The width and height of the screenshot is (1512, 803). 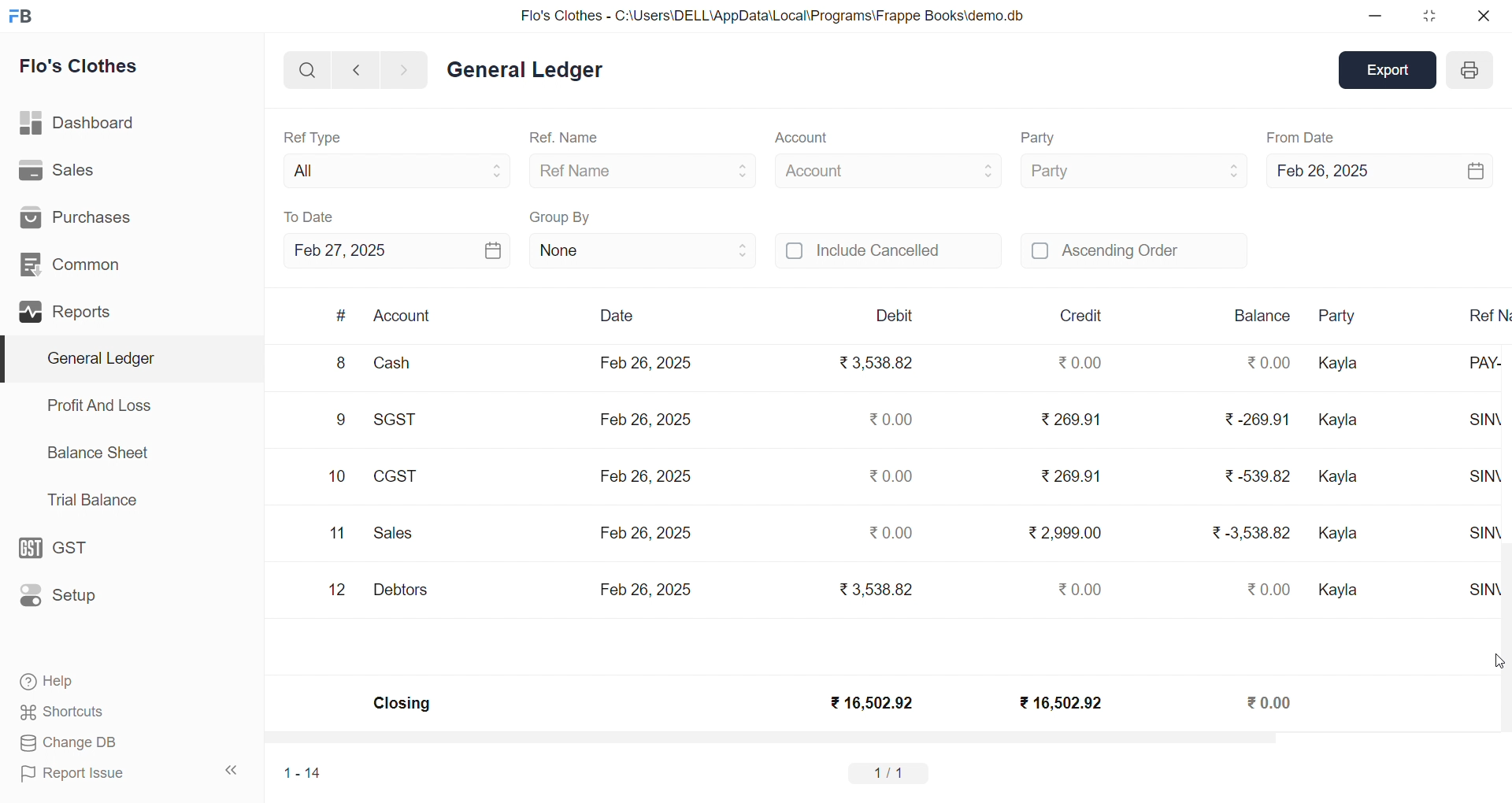 What do you see at coordinates (339, 364) in the screenshot?
I see `8` at bounding box center [339, 364].